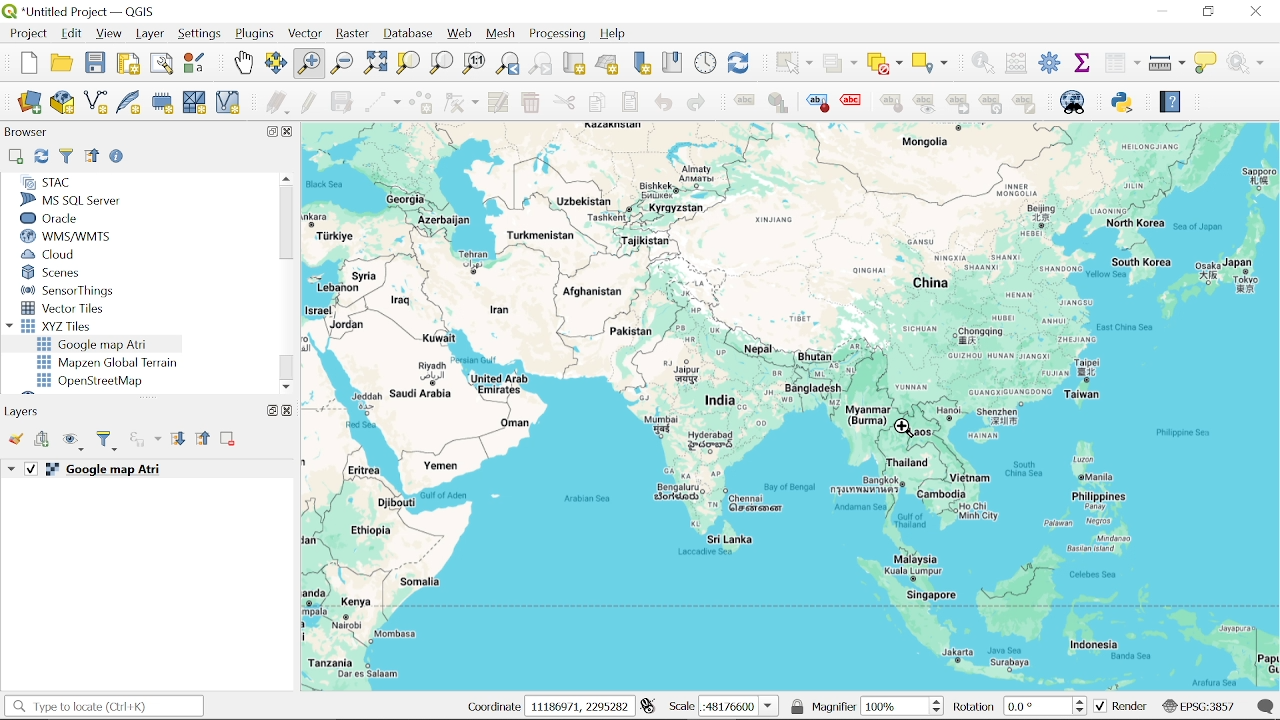 This screenshot has width=1280, height=720. Describe the element at coordinates (895, 706) in the screenshot. I see `Magnifier` at that location.